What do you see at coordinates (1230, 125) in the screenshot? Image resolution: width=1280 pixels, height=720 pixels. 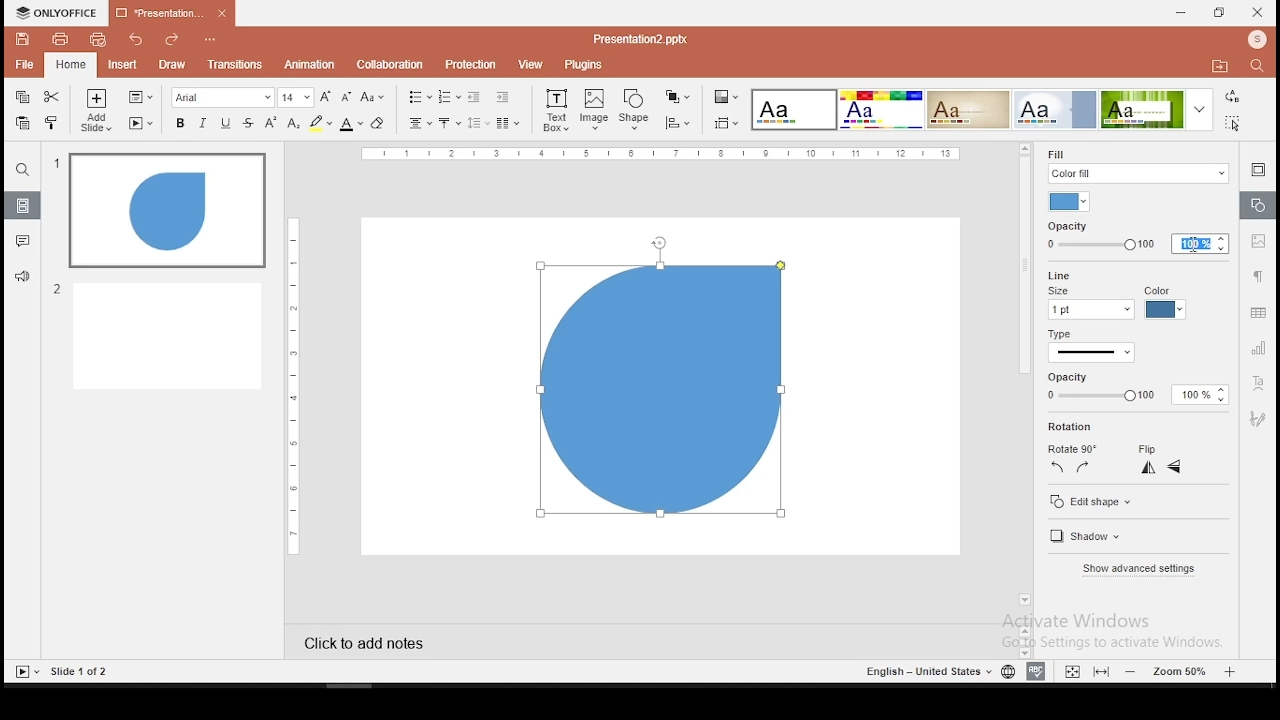 I see `select all` at bounding box center [1230, 125].